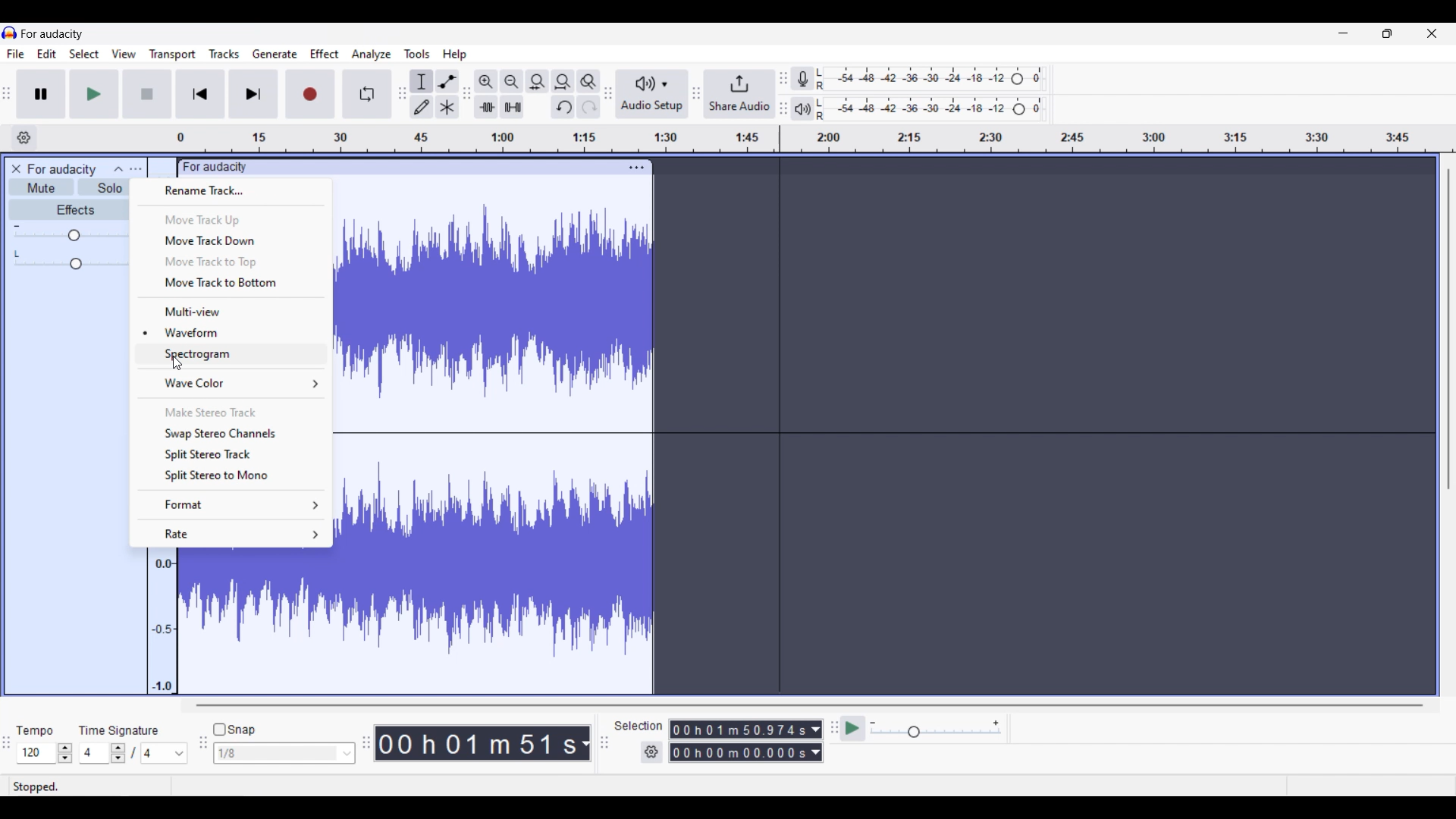  I want to click on Move track to top, so click(230, 262).